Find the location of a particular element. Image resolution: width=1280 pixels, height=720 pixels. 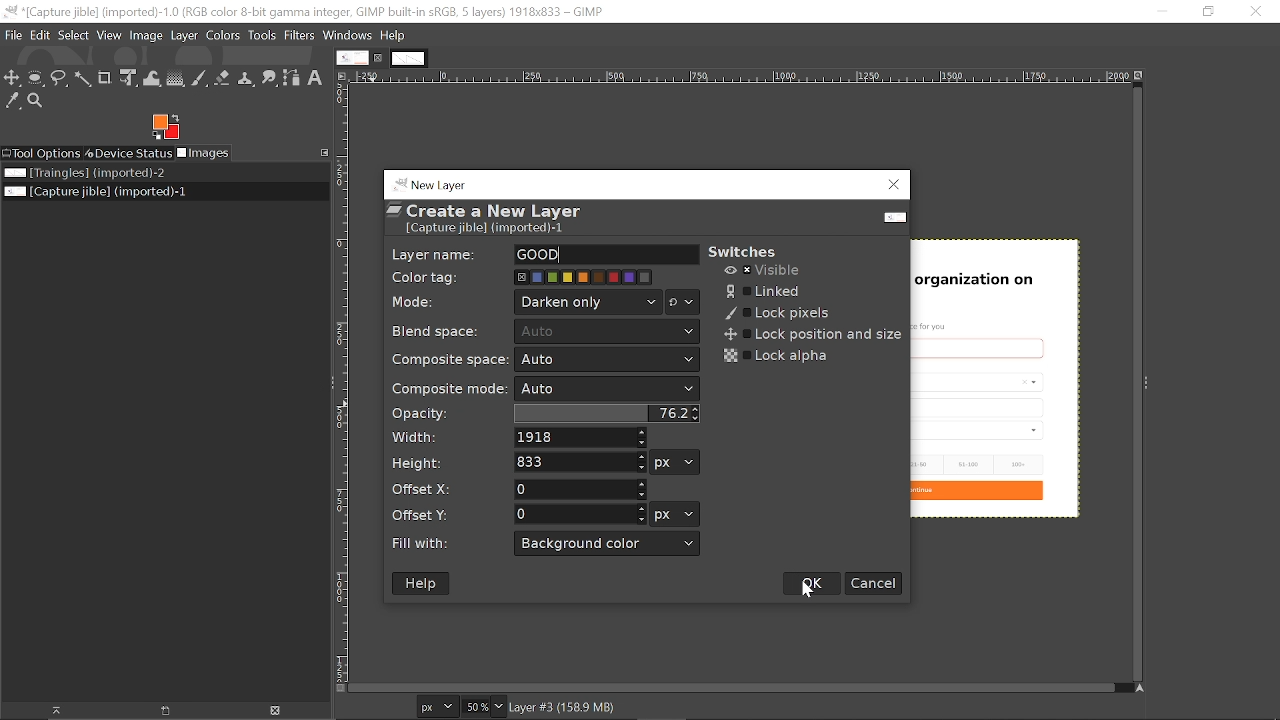

Toggle quick mask on/off is located at coordinates (339, 688).